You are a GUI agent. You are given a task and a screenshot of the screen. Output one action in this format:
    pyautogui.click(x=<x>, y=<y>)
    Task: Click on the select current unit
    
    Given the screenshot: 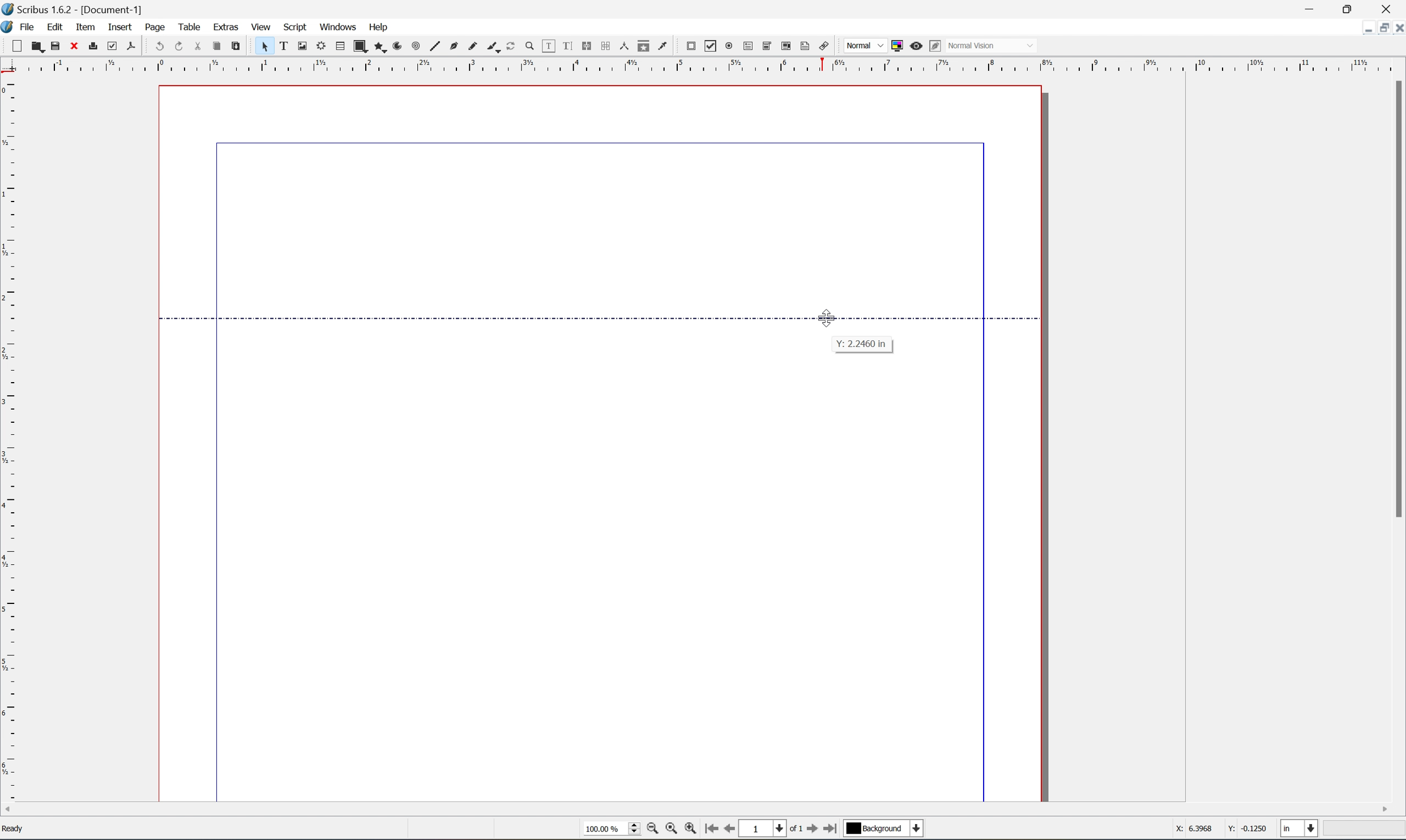 What is the action you would take?
    pyautogui.click(x=1300, y=829)
    